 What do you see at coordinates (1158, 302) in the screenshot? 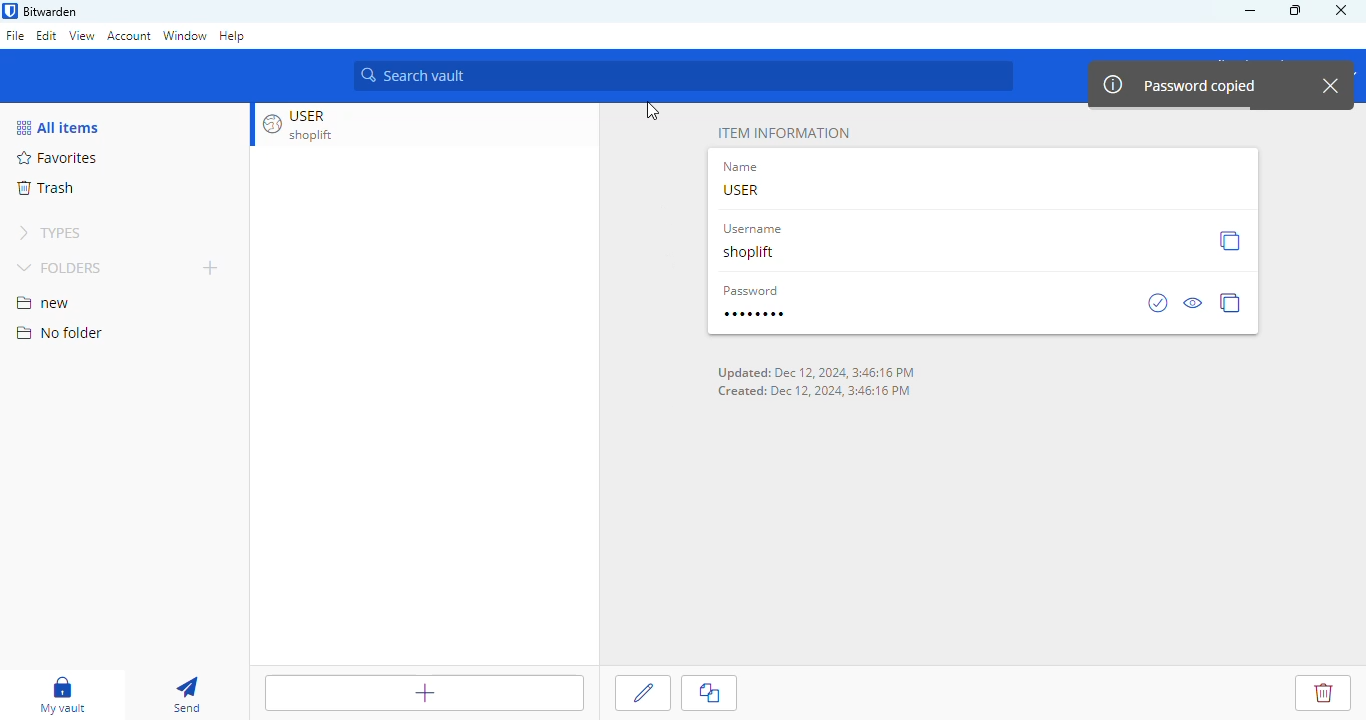
I see `check if password has been exposed` at bounding box center [1158, 302].